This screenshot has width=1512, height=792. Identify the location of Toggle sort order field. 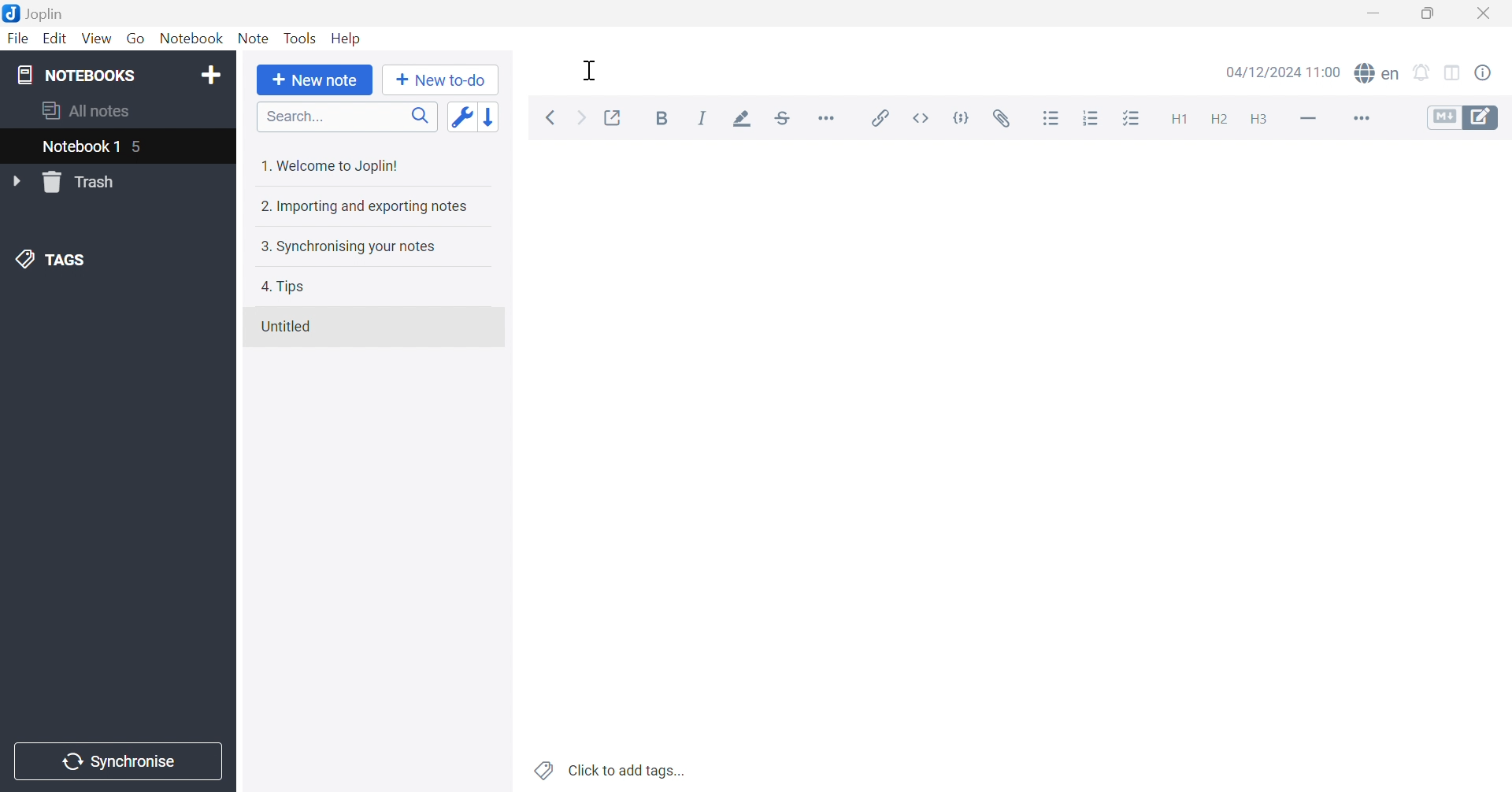
(462, 117).